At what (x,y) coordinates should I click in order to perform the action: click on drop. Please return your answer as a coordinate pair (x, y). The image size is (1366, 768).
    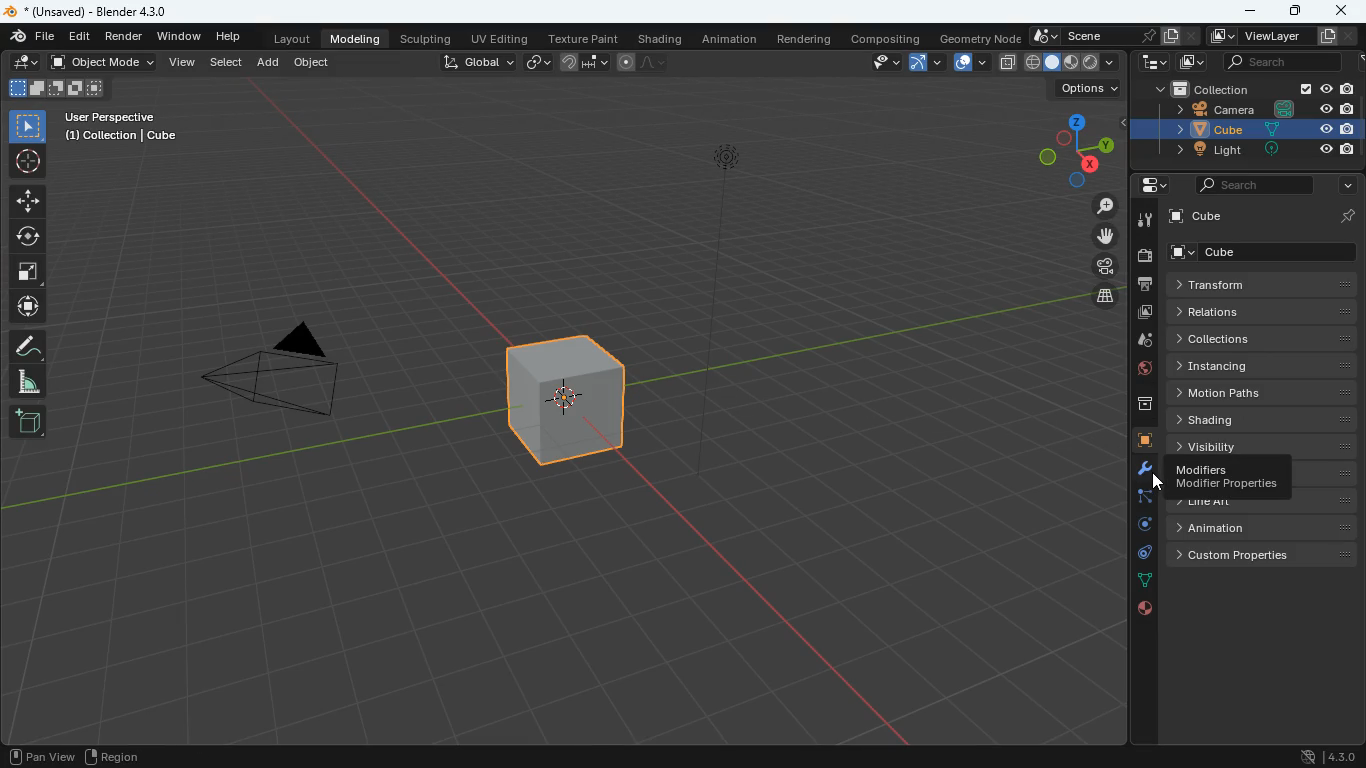
    Looking at the image, I should click on (1137, 345).